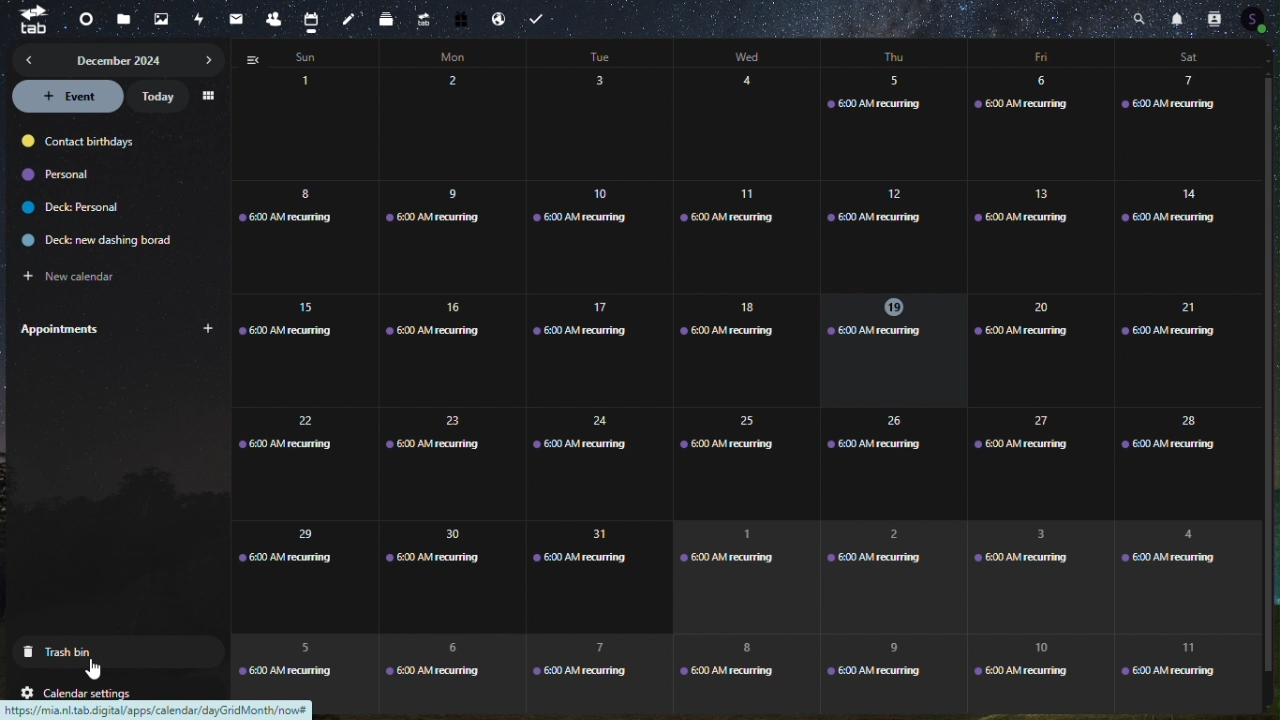  I want to click on 17, so click(591, 348).